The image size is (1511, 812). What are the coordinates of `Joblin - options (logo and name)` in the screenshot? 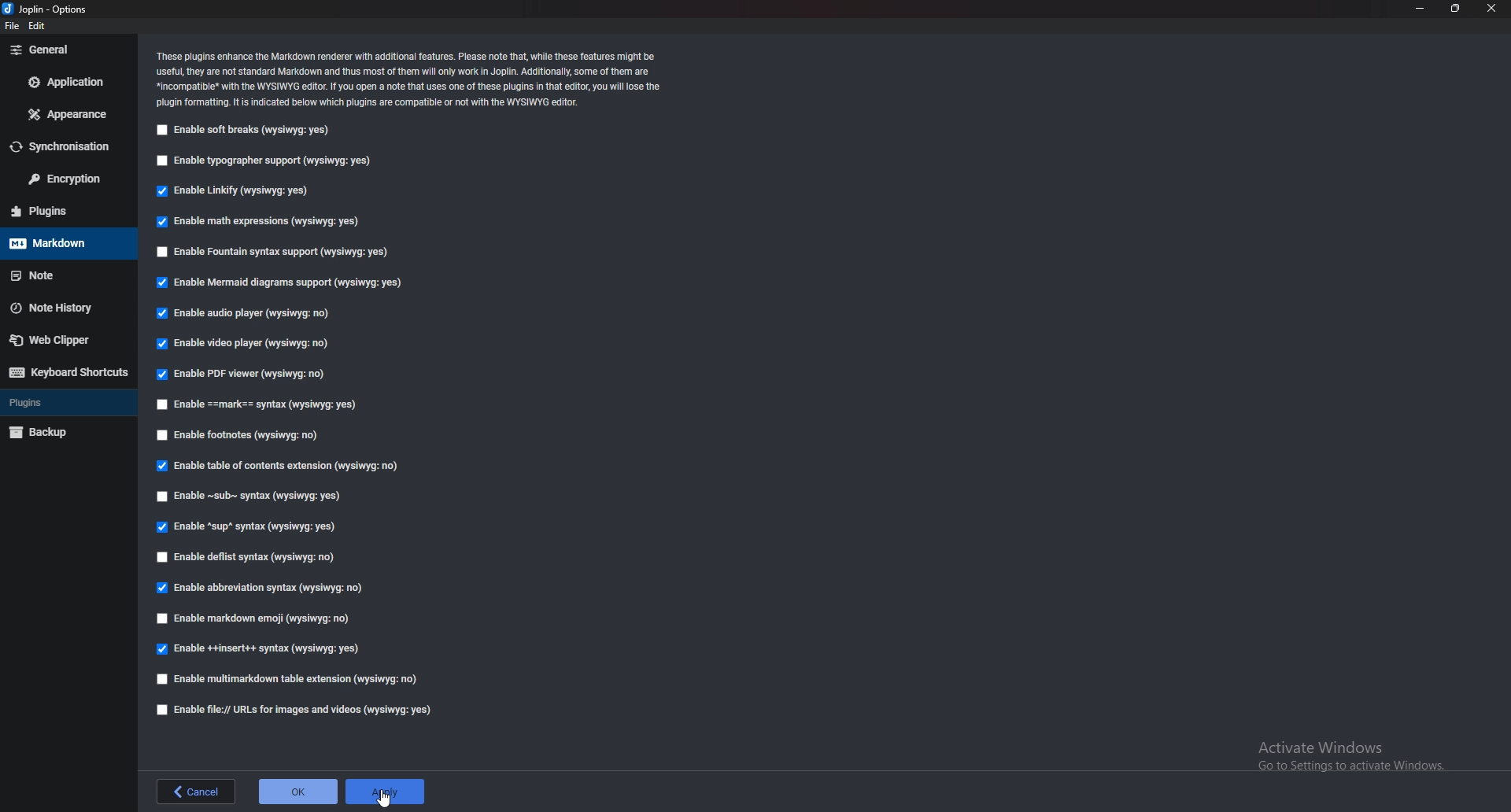 It's located at (49, 10).